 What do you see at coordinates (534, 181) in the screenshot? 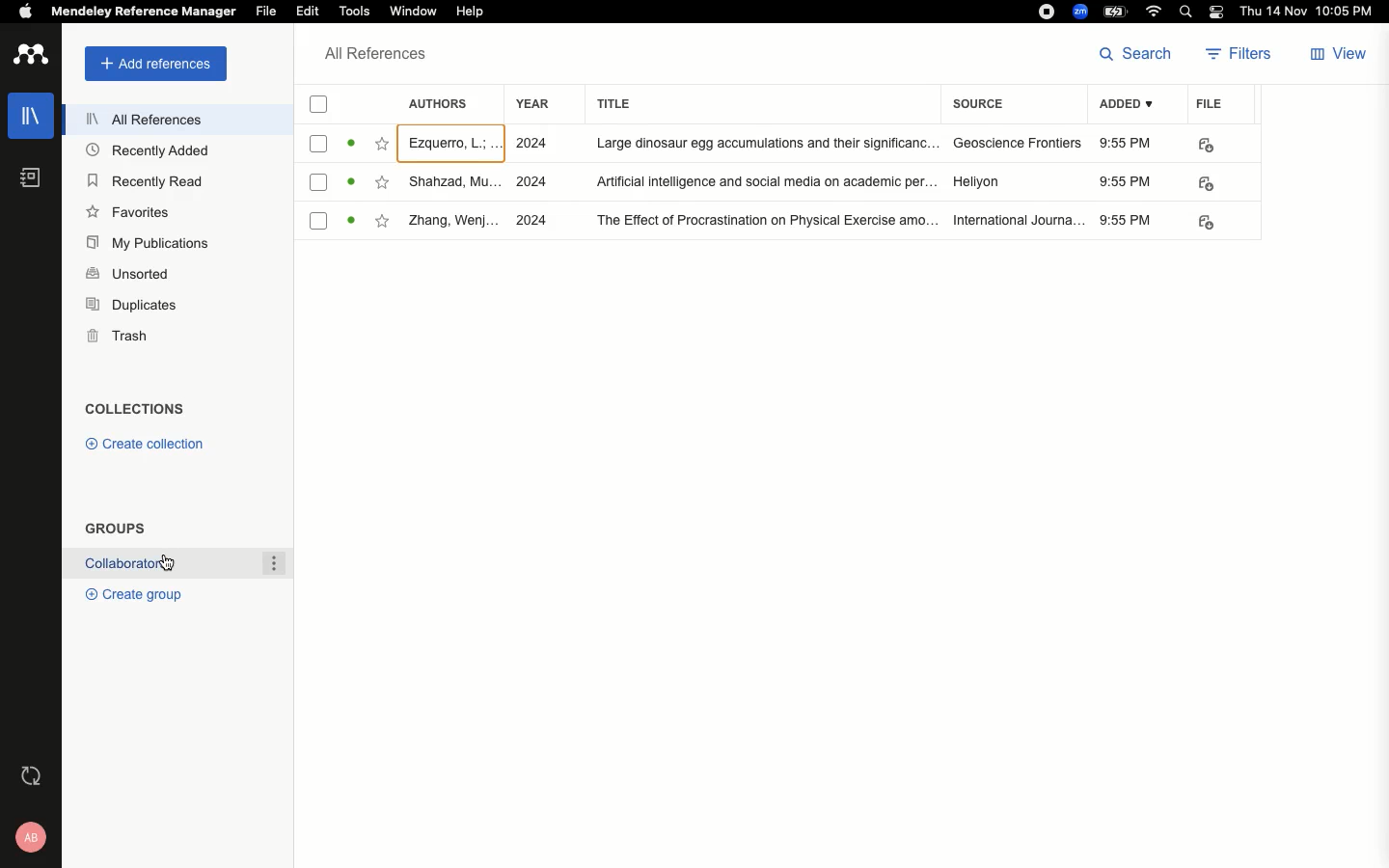
I see `2024` at bounding box center [534, 181].